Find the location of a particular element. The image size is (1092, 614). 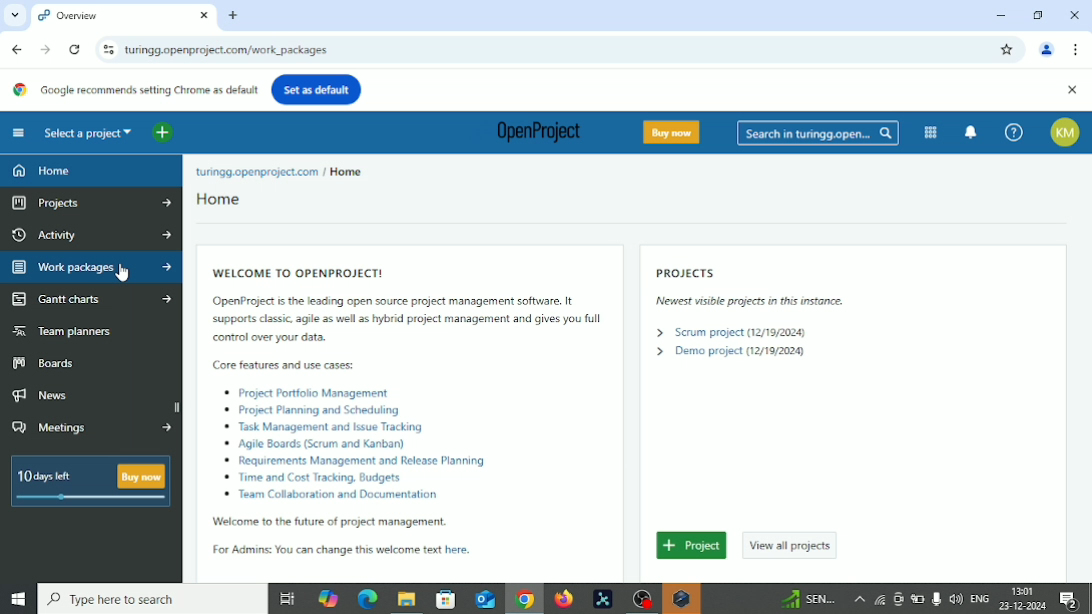

Wifi is located at coordinates (877, 599).